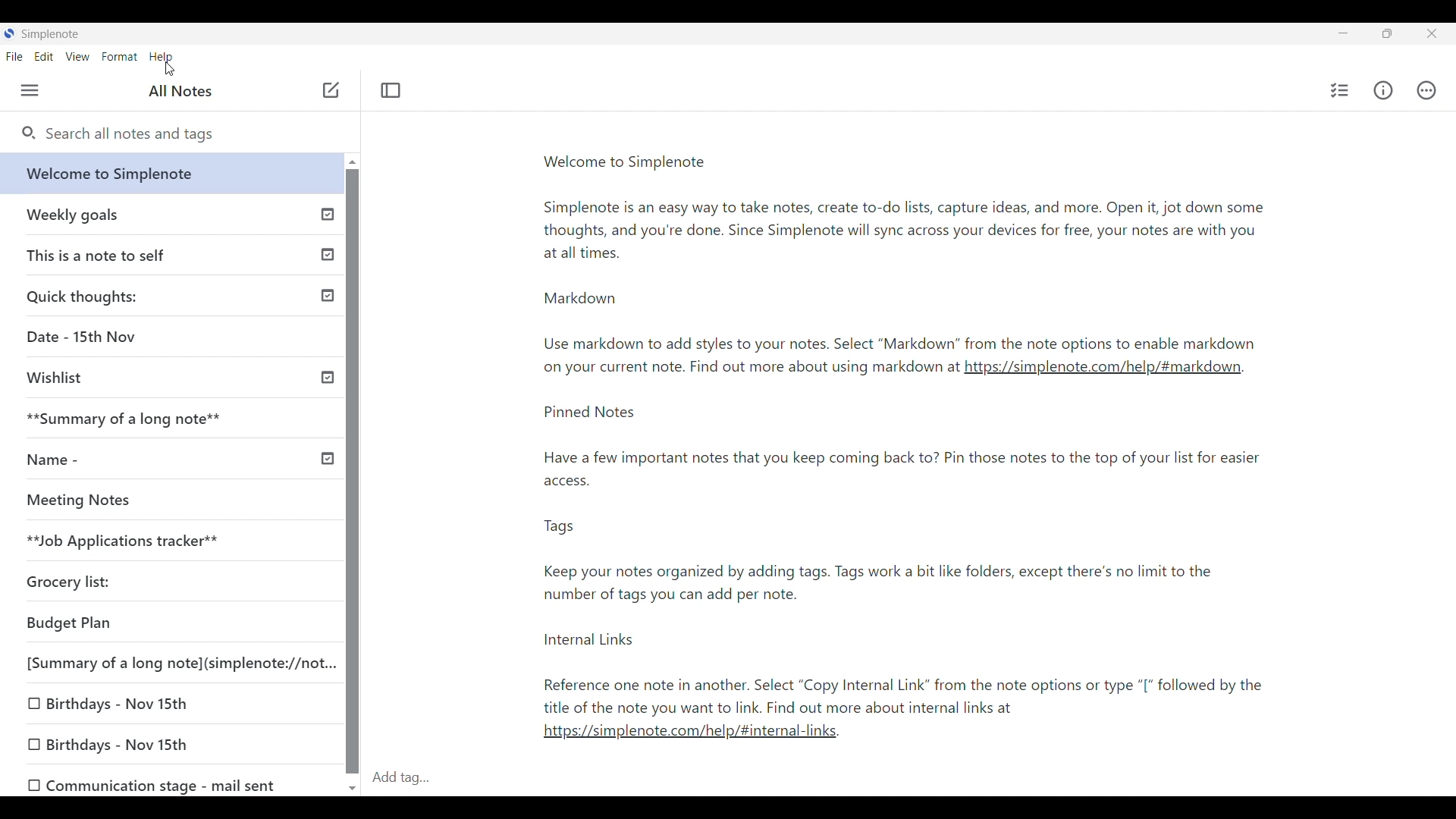 This screenshot has height=819, width=1456. Describe the element at coordinates (1383, 89) in the screenshot. I see `Info` at that location.